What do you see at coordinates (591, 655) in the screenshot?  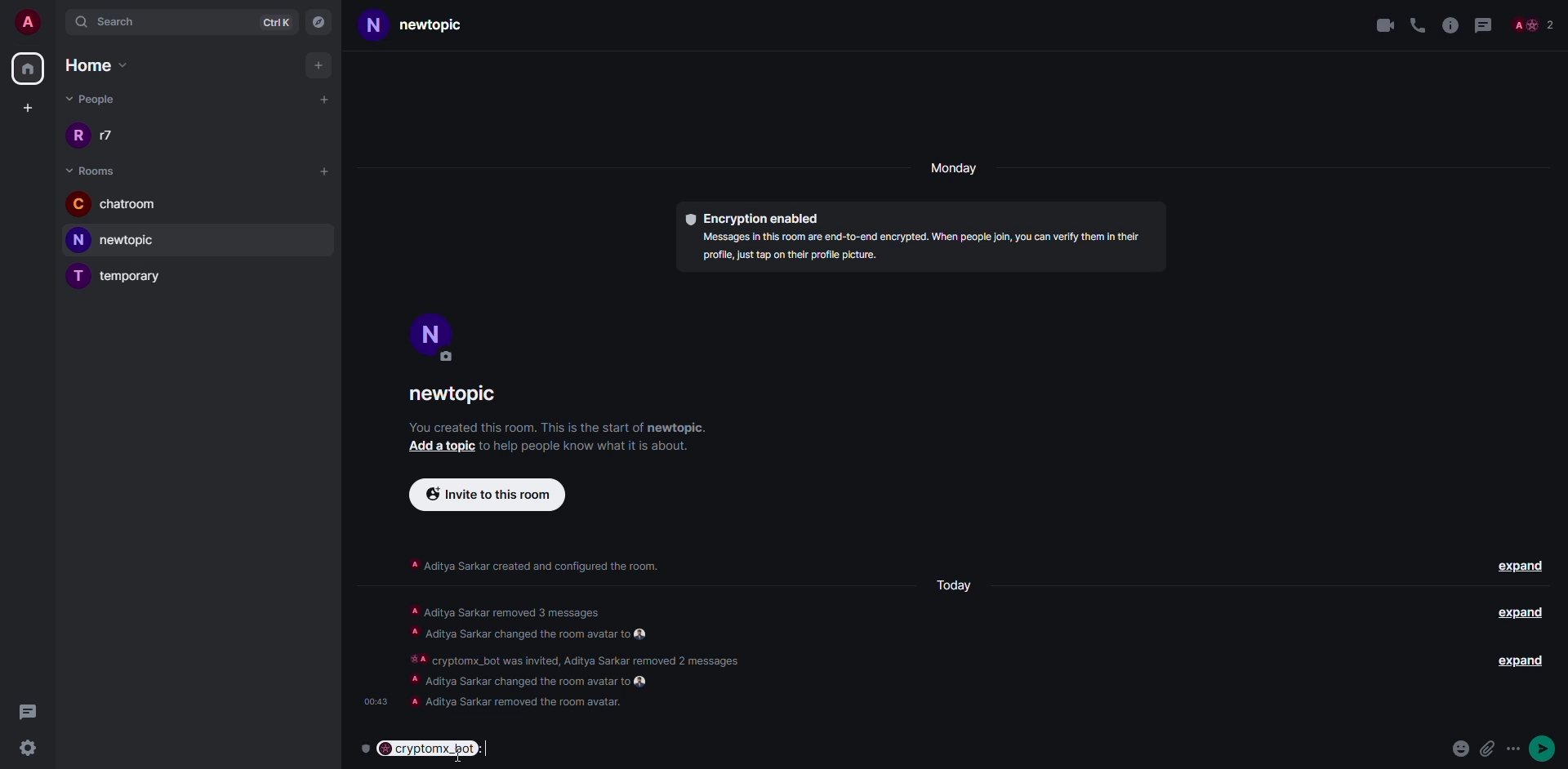 I see `A Aditya Sarkar removed 3 messages.

A Aditya Sarkar changed the room avatar to €%

#A cryptomx_bot was invited, Aditya Sarkar removed 2 messages
A Aditya Sarkar changed the room avatar to €%

A Aditya Sarkar removed the room avatar.` at bounding box center [591, 655].